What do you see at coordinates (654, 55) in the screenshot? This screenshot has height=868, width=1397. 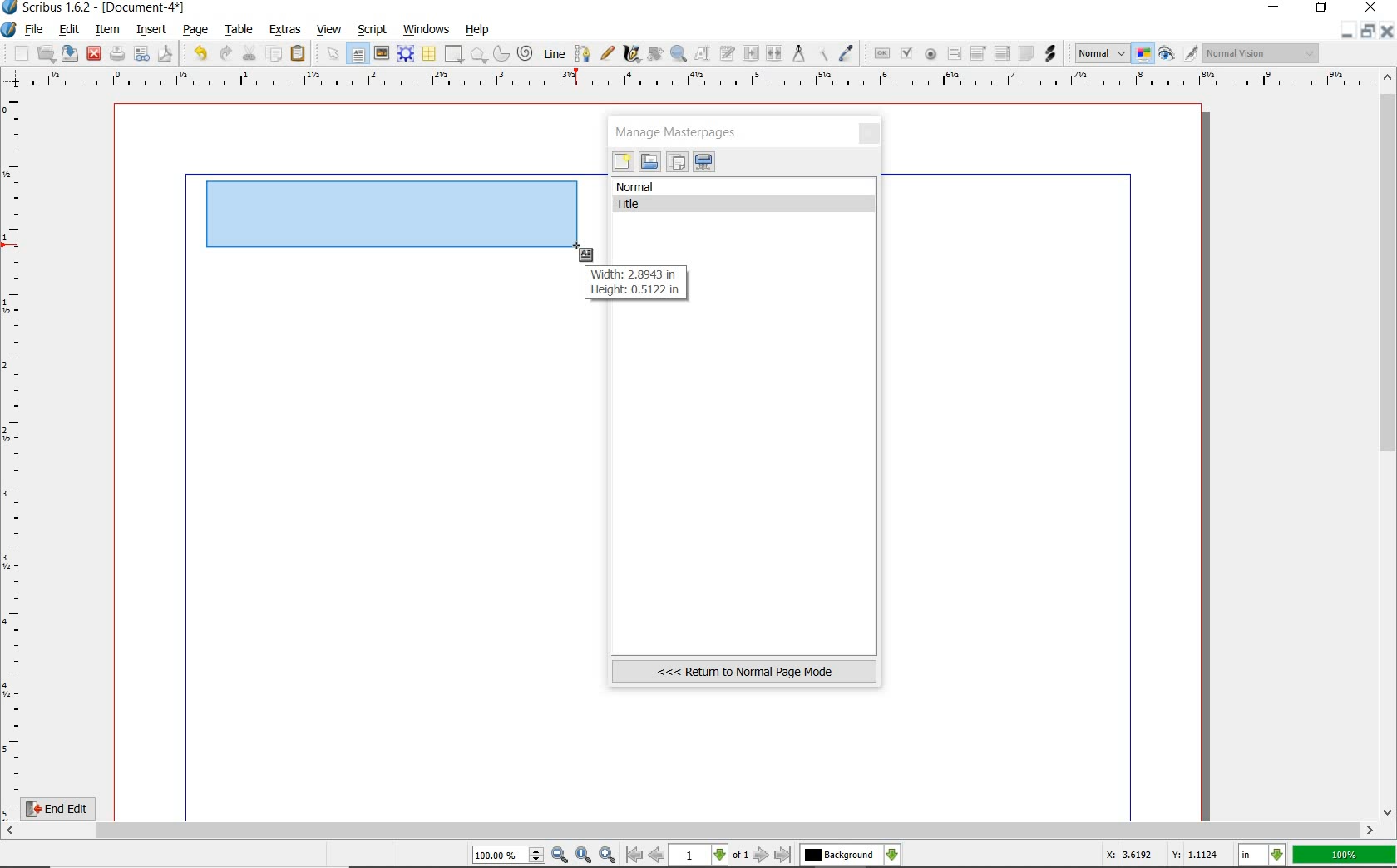 I see `rotate item` at bounding box center [654, 55].